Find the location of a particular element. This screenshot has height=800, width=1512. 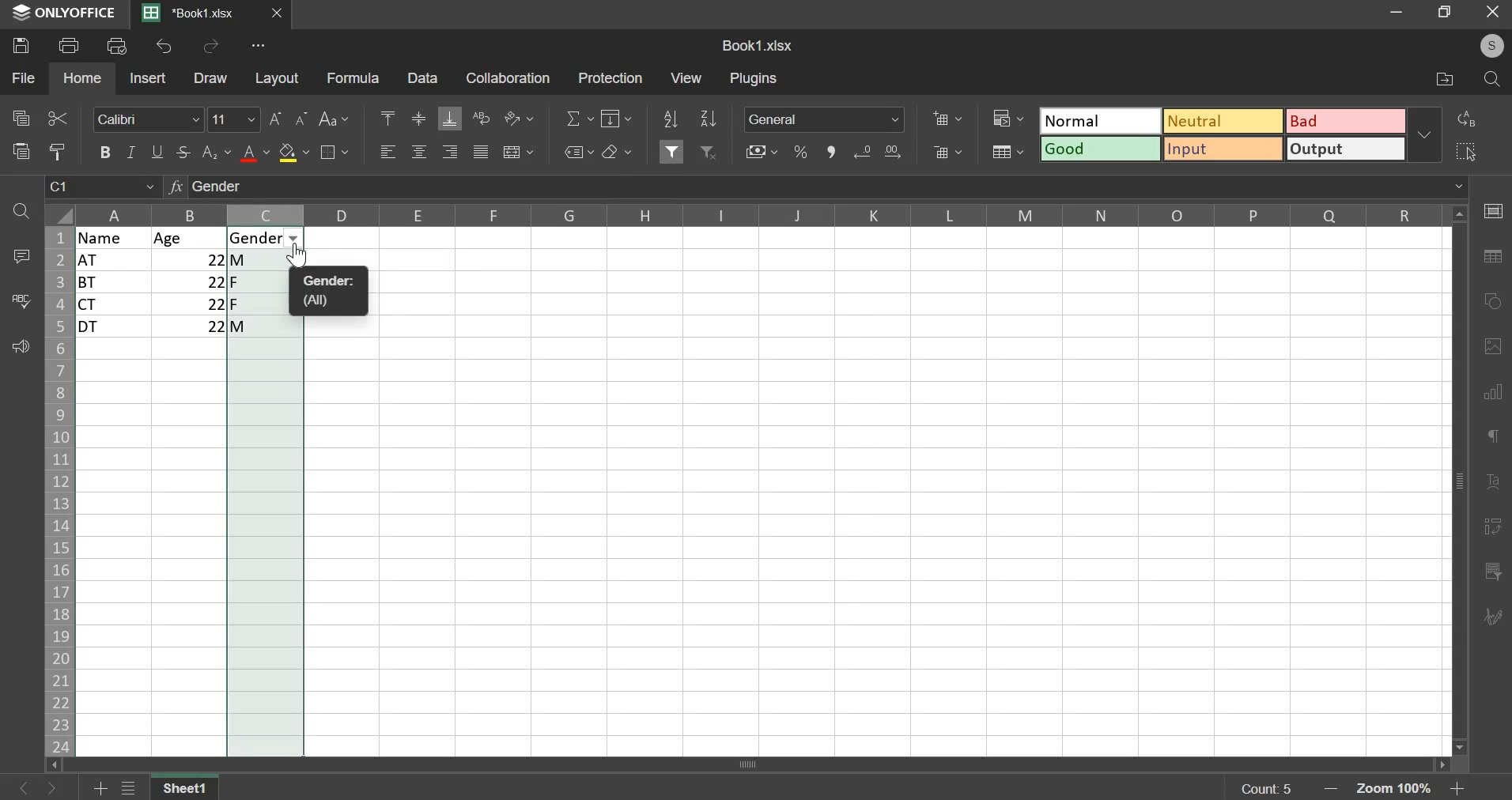

conditional formatting is located at coordinates (1006, 117).